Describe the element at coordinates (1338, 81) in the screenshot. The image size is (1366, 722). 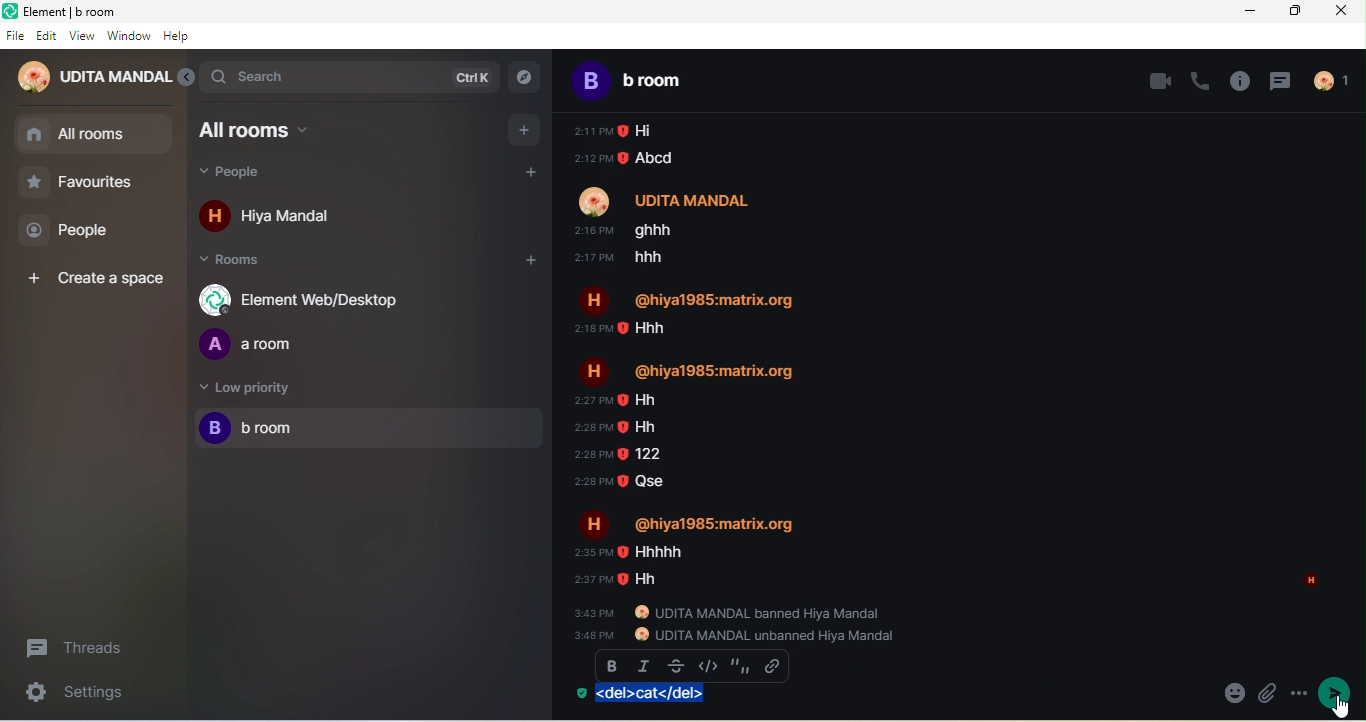
I see `people` at that location.